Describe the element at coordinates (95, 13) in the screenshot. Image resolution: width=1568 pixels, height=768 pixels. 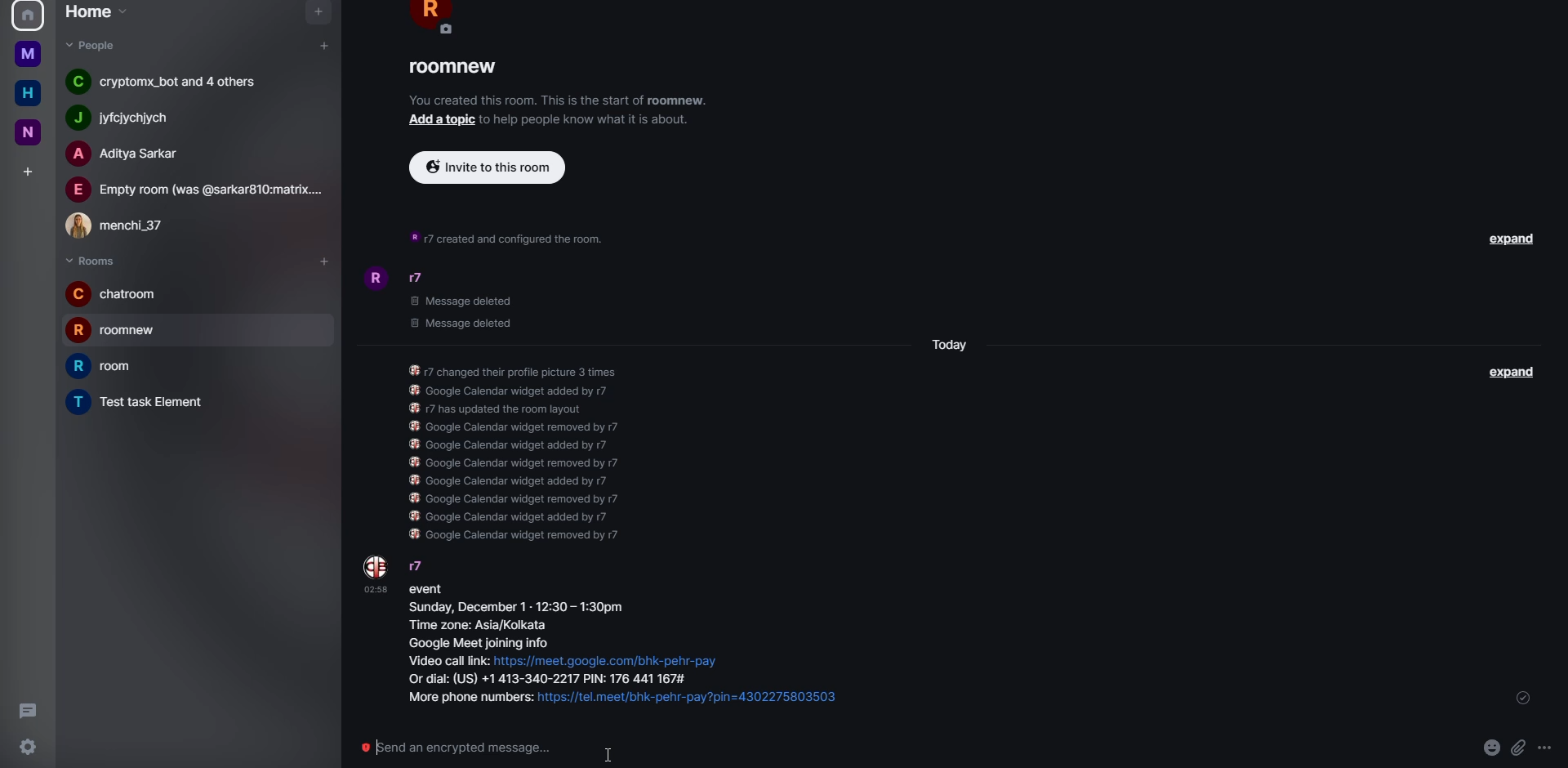
I see `home` at that location.